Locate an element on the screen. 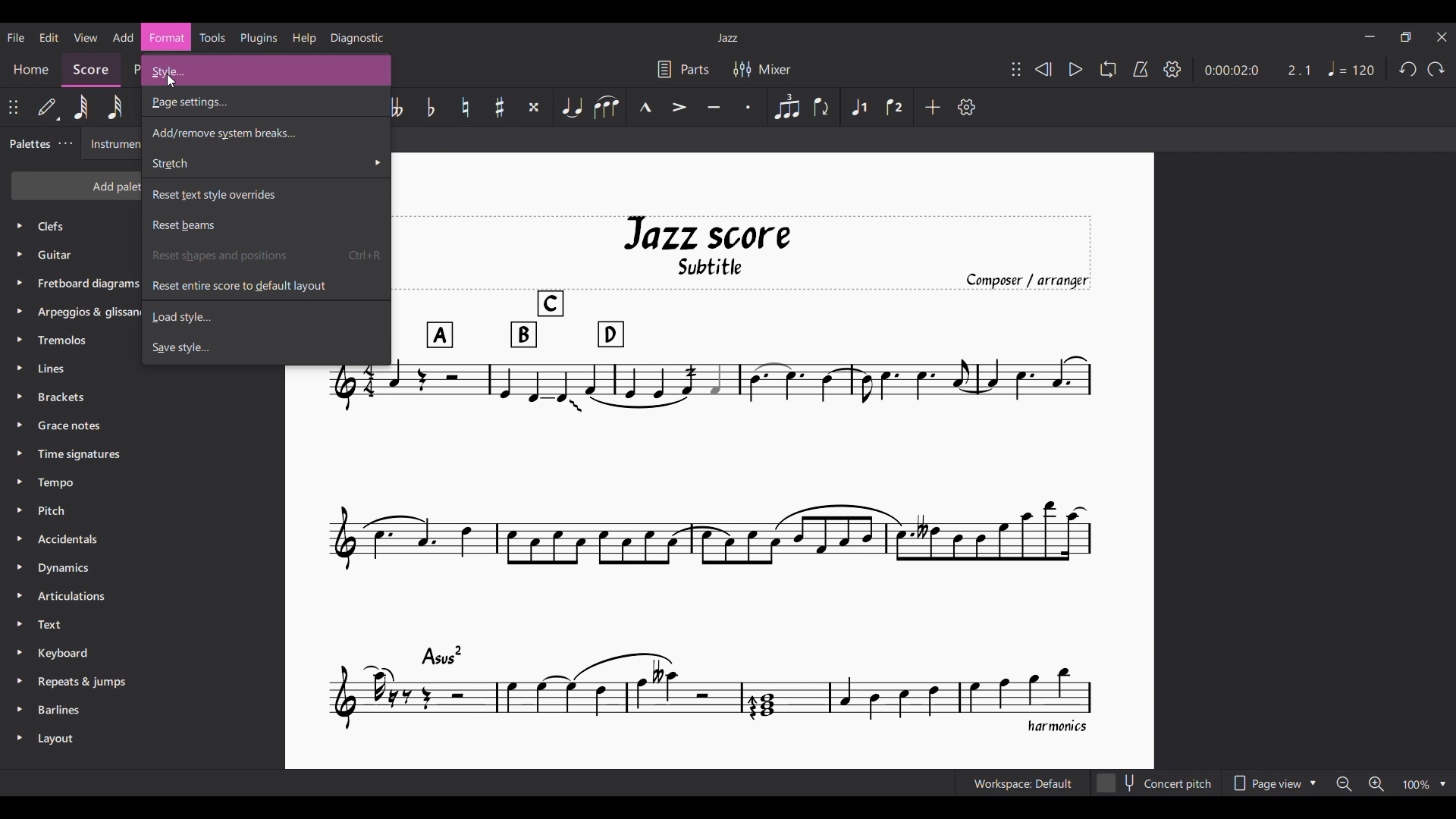  Accidentals is located at coordinates (72, 538).